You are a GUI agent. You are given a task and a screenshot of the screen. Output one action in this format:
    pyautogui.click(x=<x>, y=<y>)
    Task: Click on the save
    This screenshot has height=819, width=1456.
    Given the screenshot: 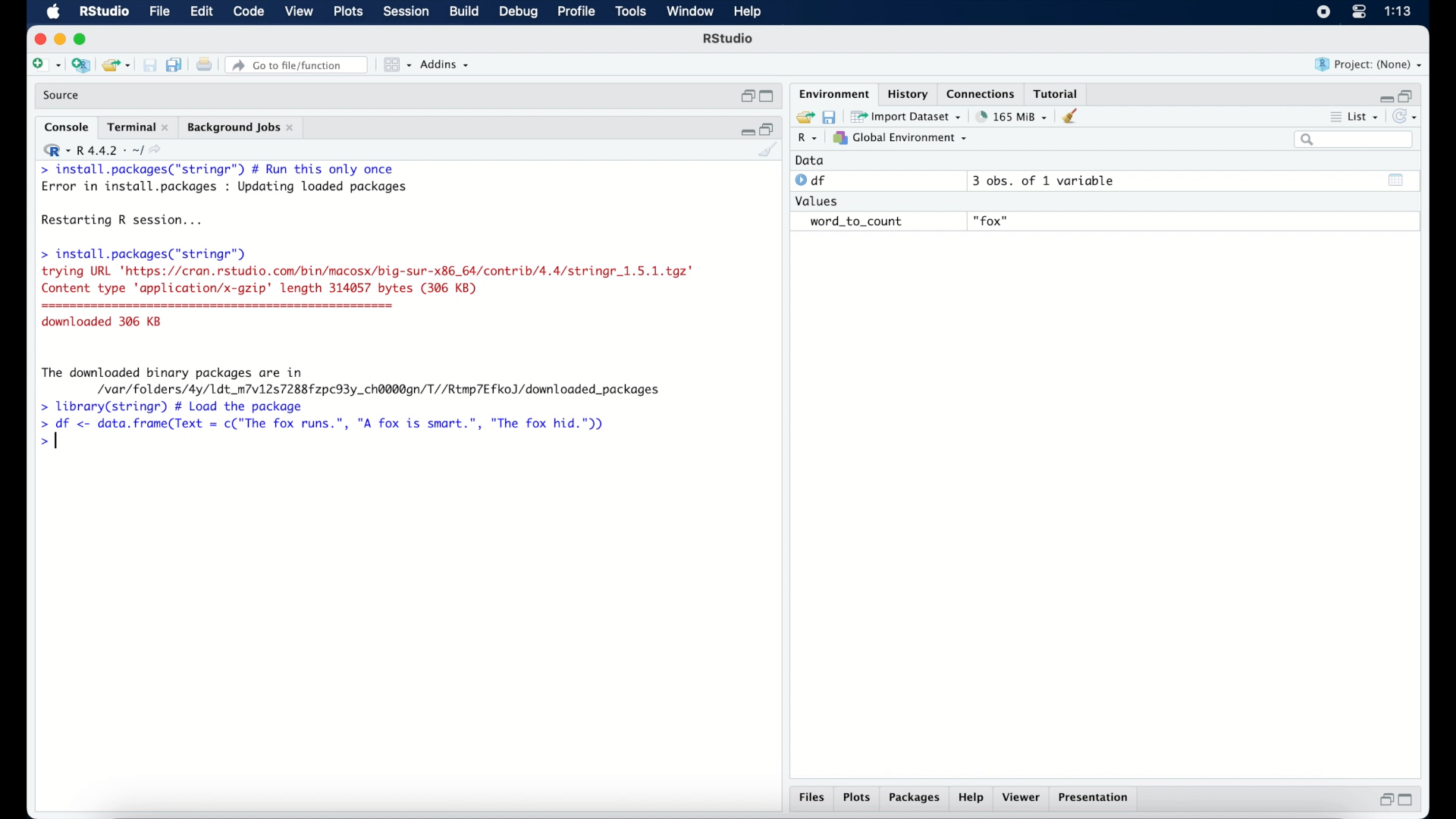 What is the action you would take?
    pyautogui.click(x=152, y=66)
    